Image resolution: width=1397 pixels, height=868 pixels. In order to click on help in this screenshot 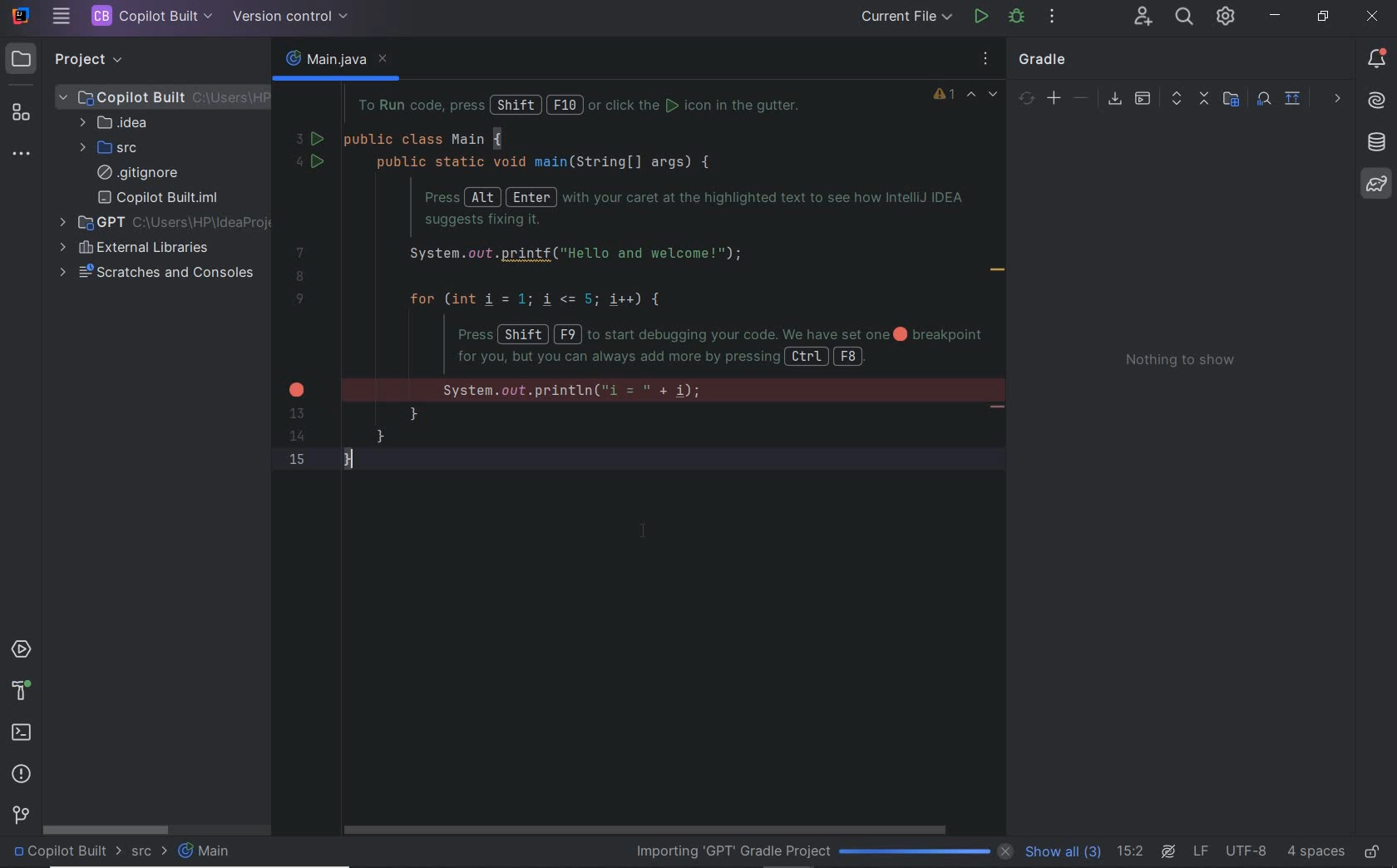, I will do `click(19, 691)`.